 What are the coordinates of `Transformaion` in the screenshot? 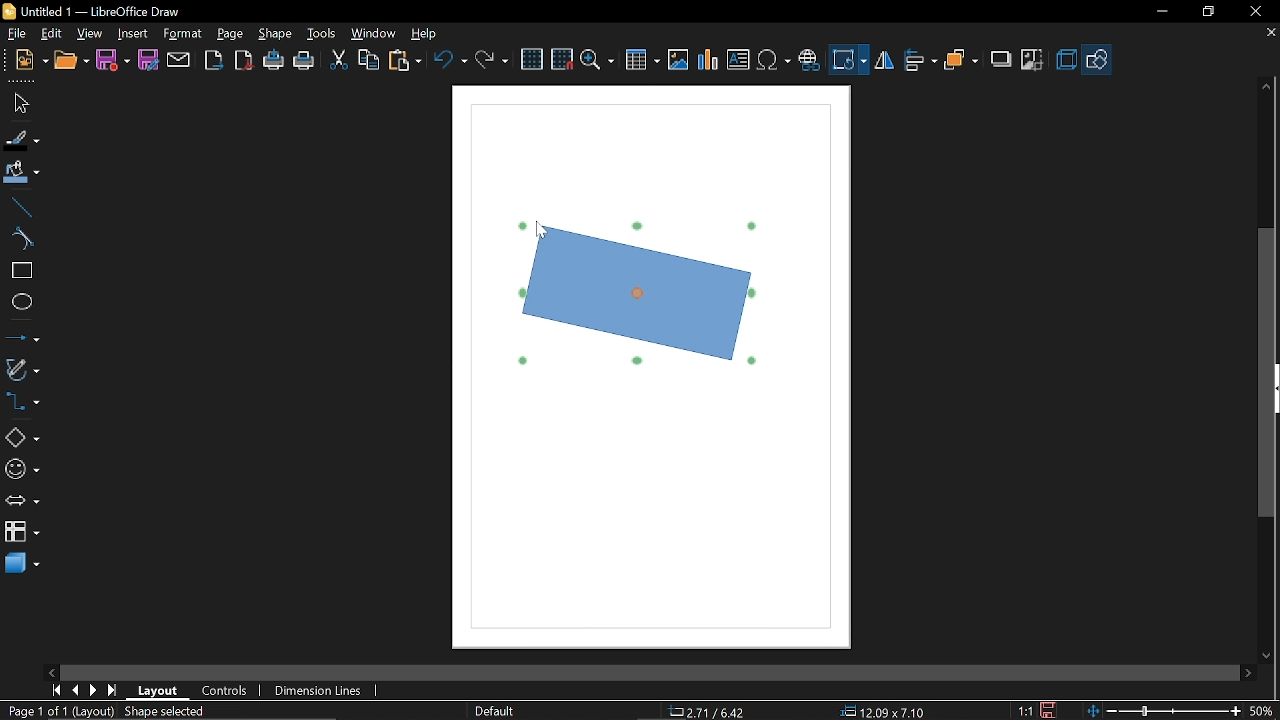 It's located at (848, 60).